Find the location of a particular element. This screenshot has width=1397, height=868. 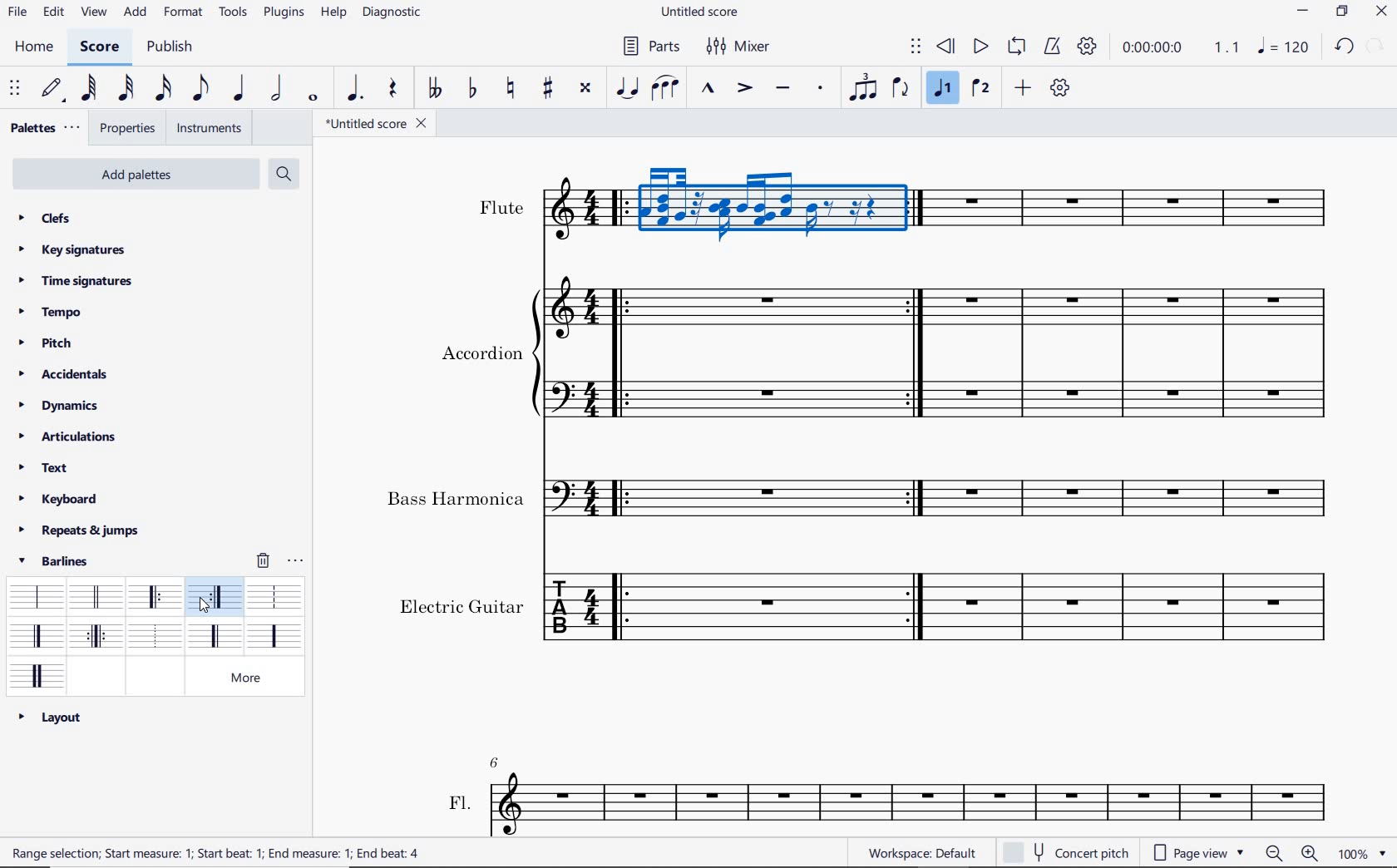

repeats & jumps is located at coordinates (79, 530).